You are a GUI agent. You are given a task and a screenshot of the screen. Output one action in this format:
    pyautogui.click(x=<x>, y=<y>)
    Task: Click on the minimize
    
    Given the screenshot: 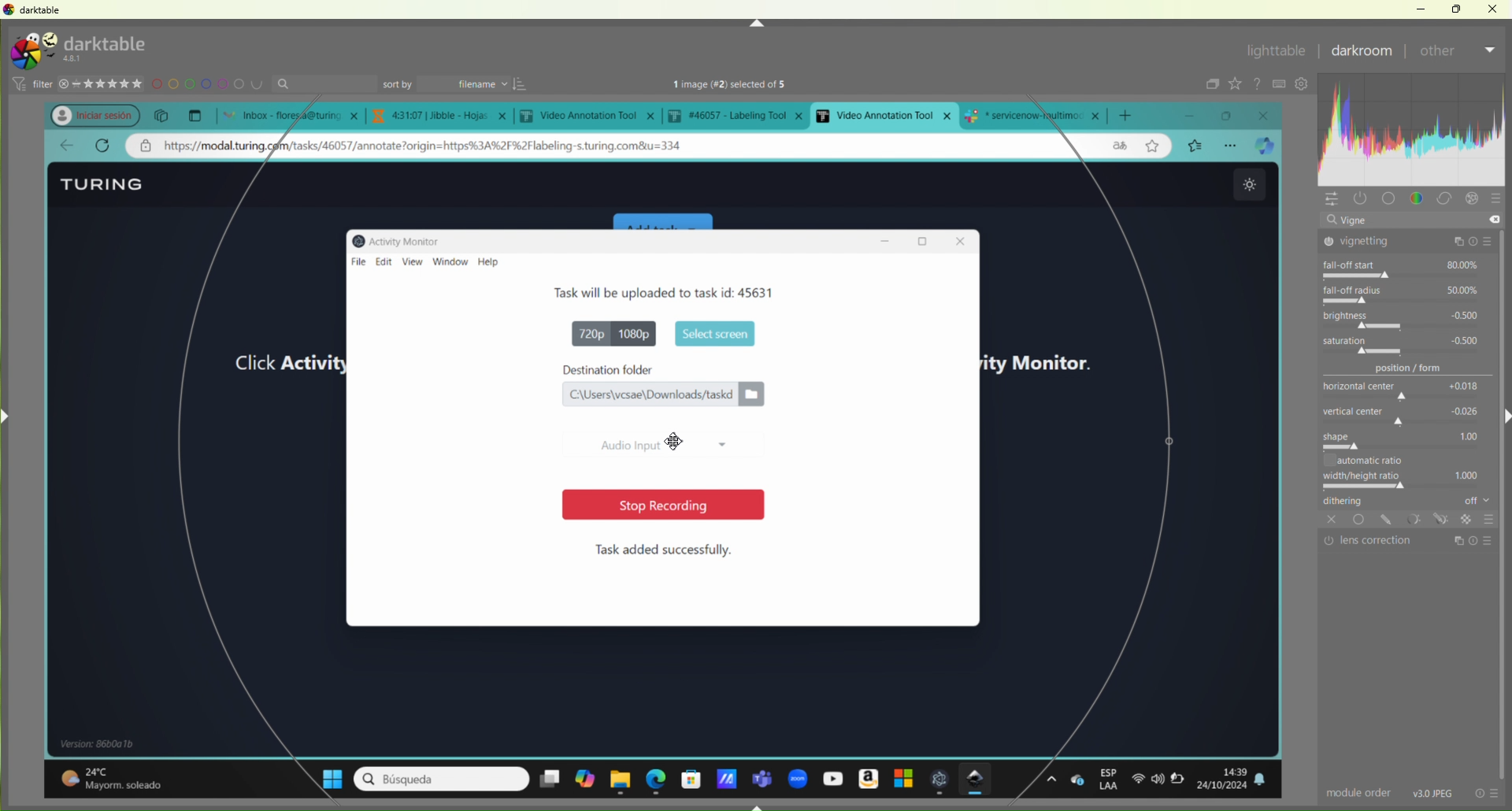 What is the action you would take?
    pyautogui.click(x=1199, y=115)
    